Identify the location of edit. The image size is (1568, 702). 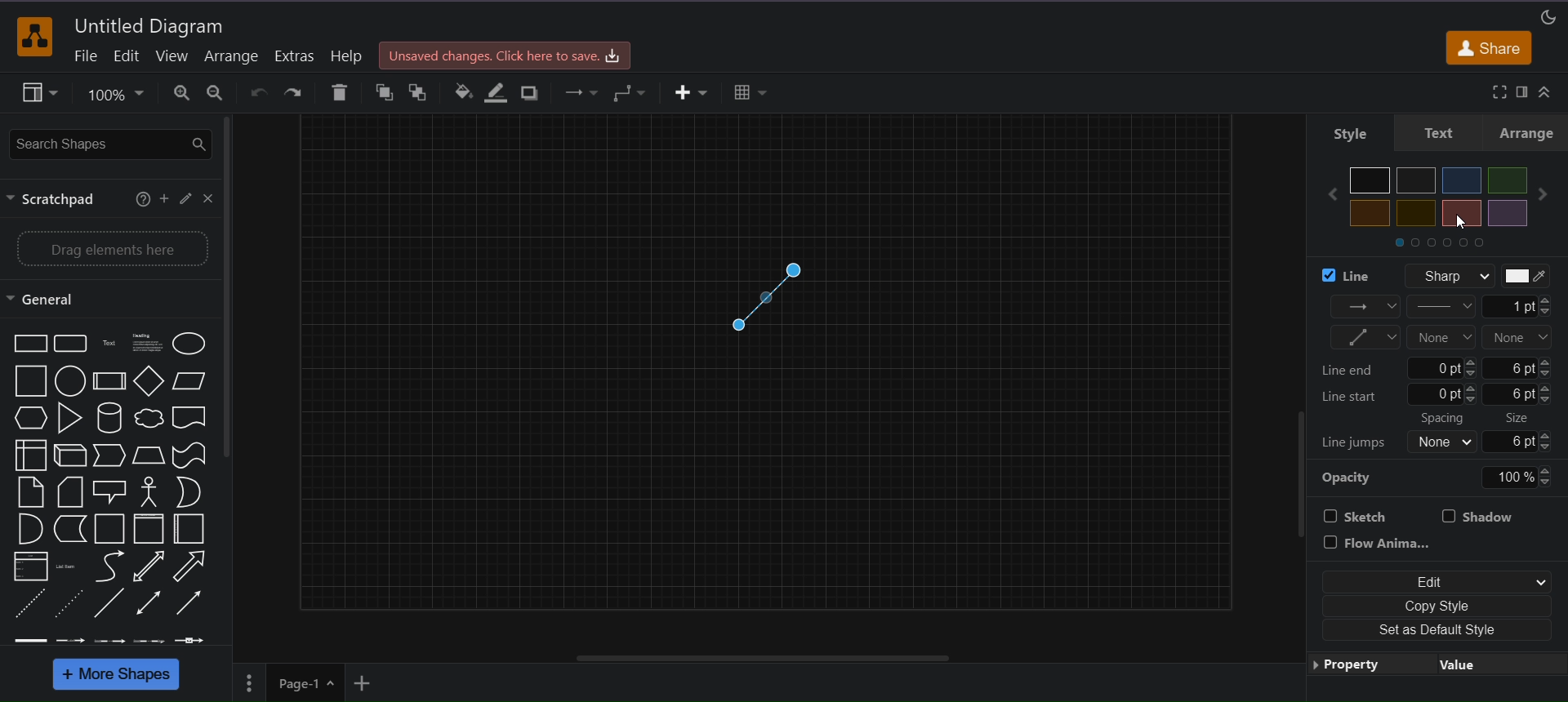
(126, 58).